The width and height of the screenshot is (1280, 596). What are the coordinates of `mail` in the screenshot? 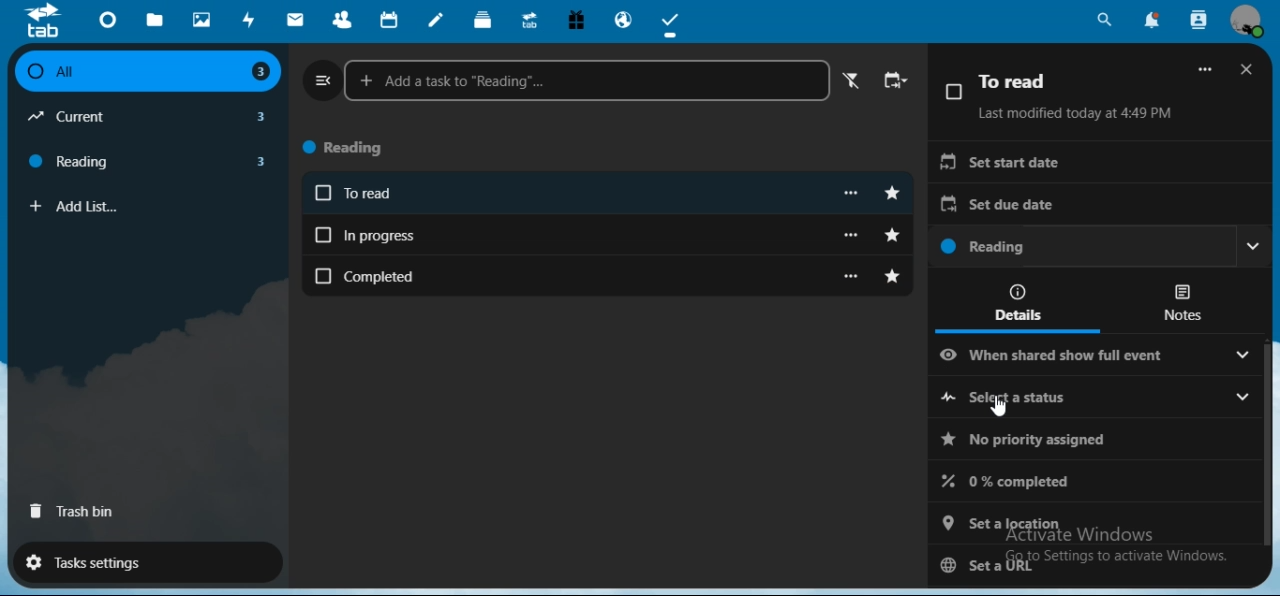 It's located at (297, 20).